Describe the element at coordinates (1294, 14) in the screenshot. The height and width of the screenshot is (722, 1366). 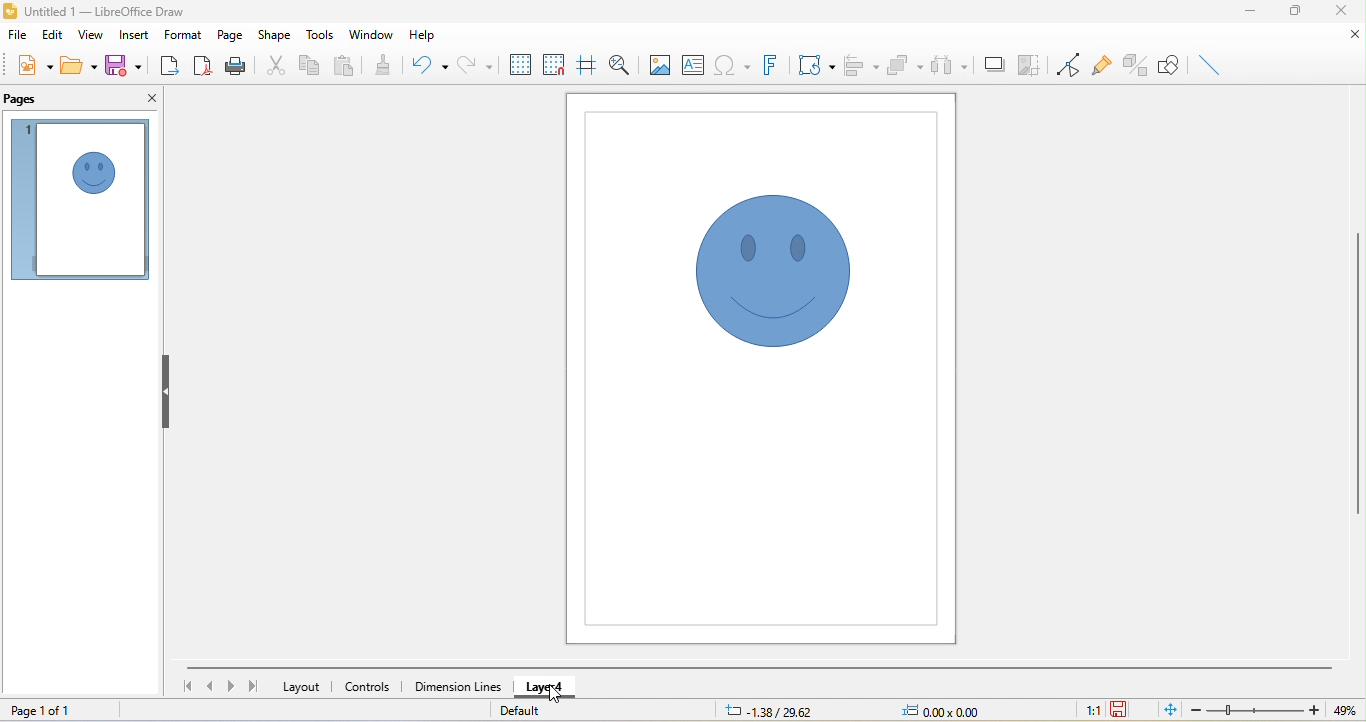
I see `maximize` at that location.